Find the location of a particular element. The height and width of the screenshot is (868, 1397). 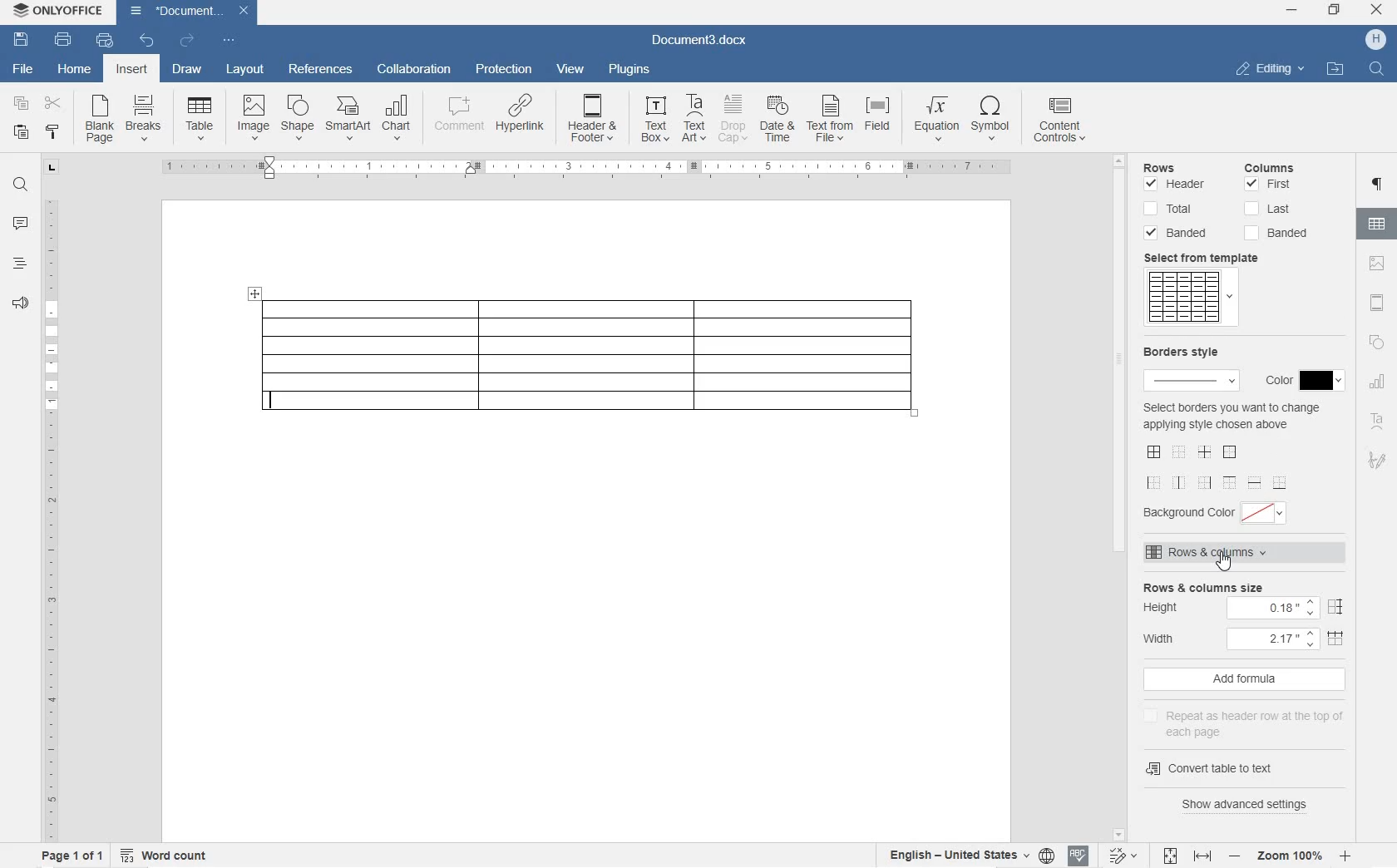

rows & columns size is located at coordinates (1246, 586).